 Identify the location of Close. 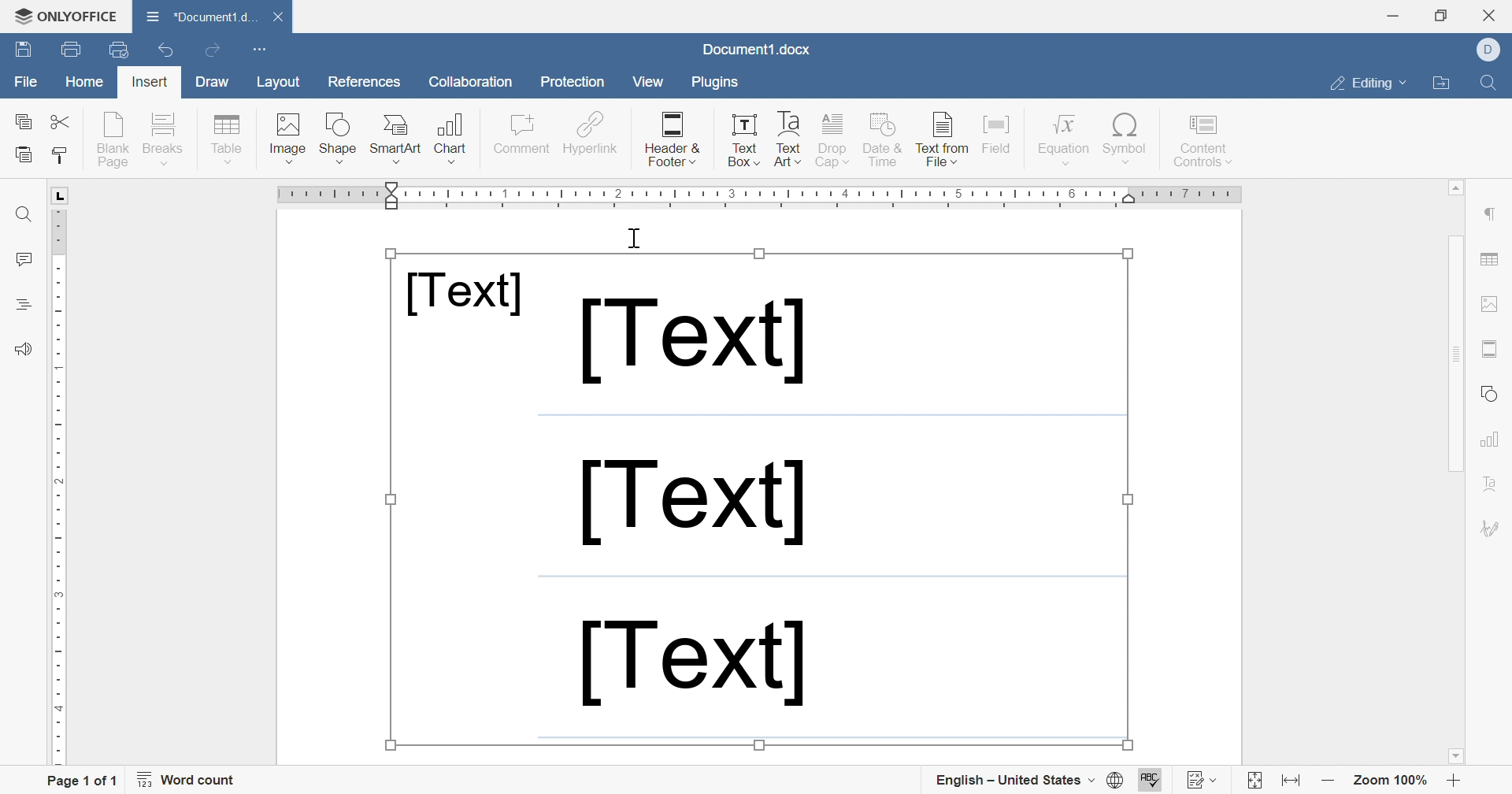
(1493, 14).